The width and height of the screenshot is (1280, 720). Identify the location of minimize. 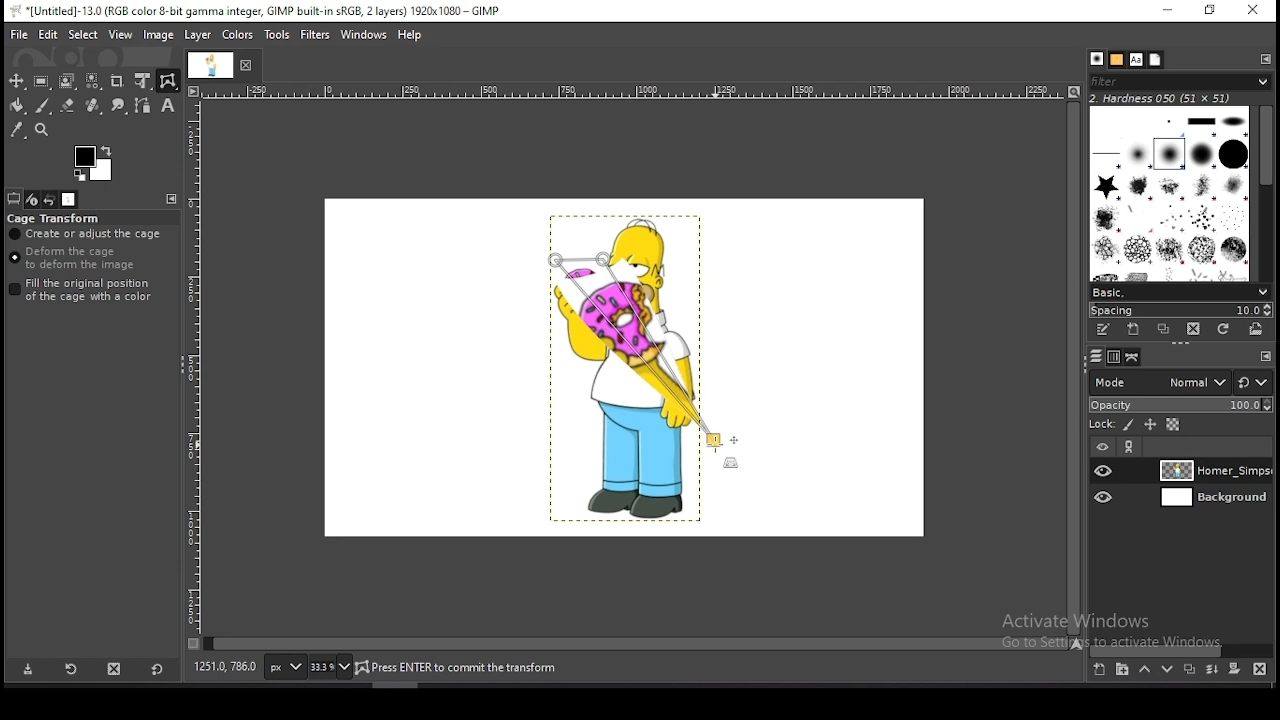
(1168, 11).